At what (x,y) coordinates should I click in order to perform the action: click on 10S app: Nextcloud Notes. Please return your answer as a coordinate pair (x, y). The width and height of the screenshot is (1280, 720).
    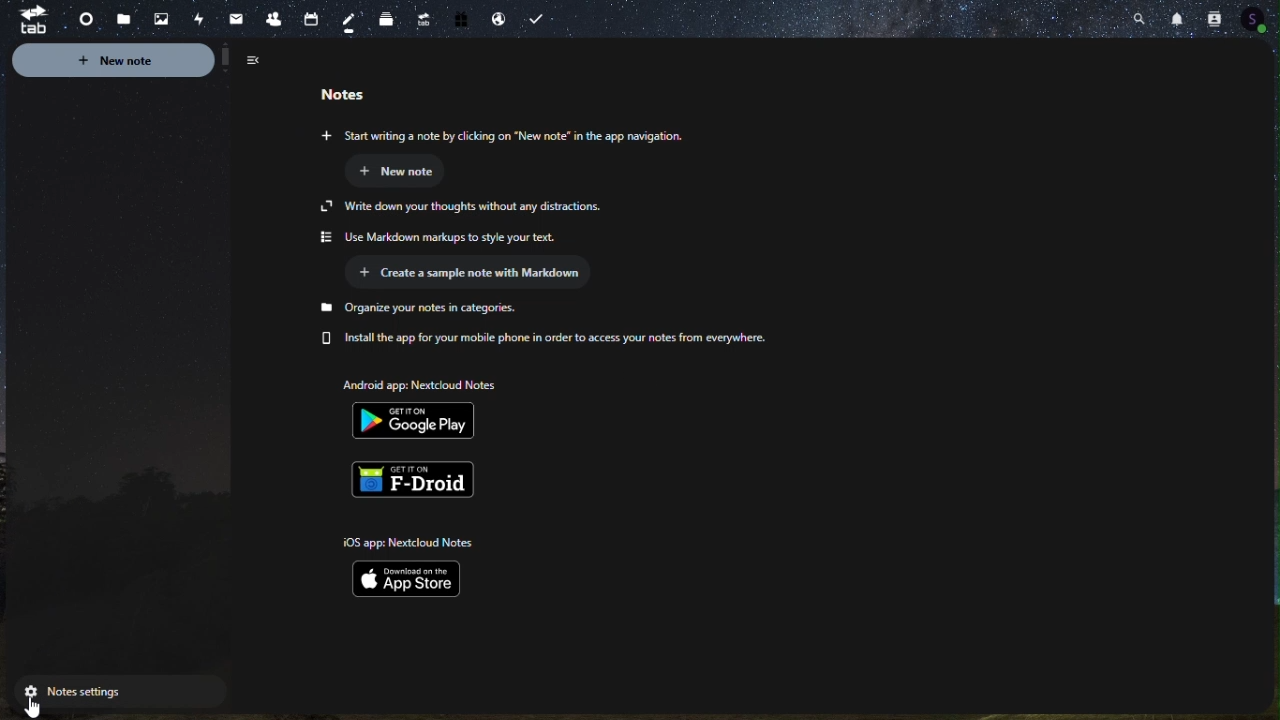
    Looking at the image, I should click on (406, 541).